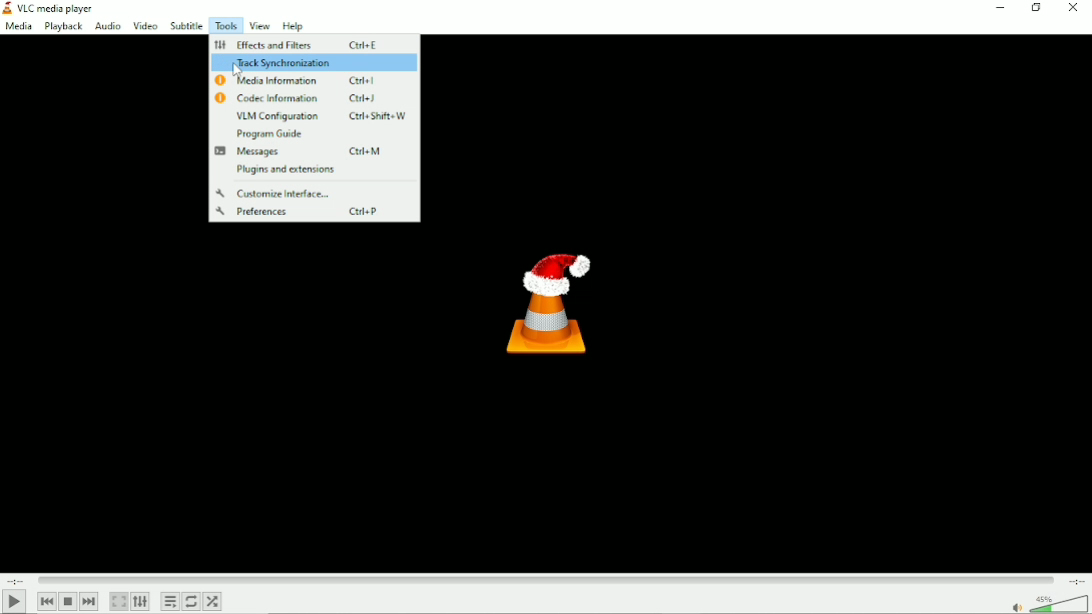 The width and height of the screenshot is (1092, 614). I want to click on Program guide, so click(271, 134).